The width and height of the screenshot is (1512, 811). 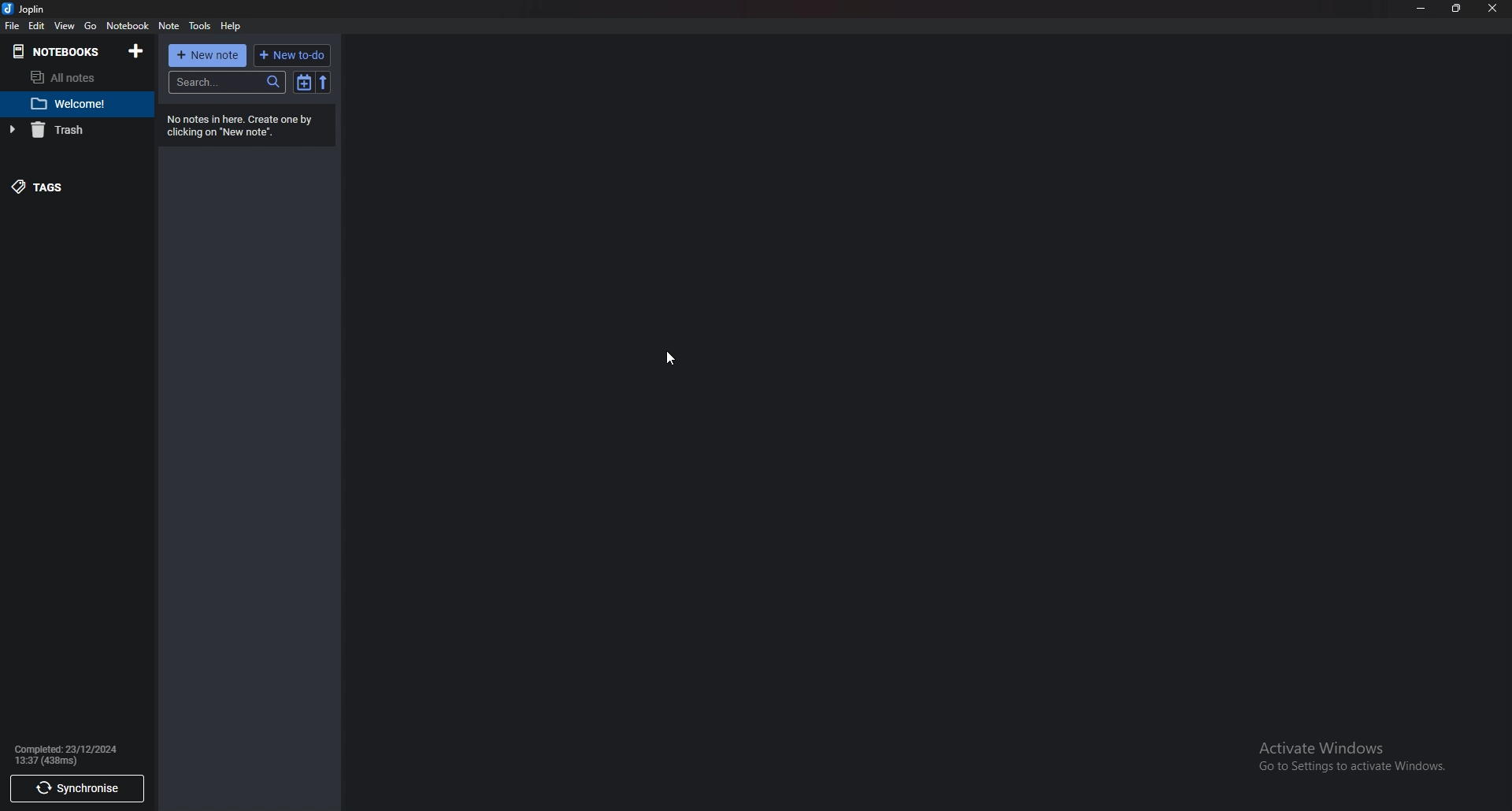 I want to click on Toggle sort order, so click(x=302, y=81).